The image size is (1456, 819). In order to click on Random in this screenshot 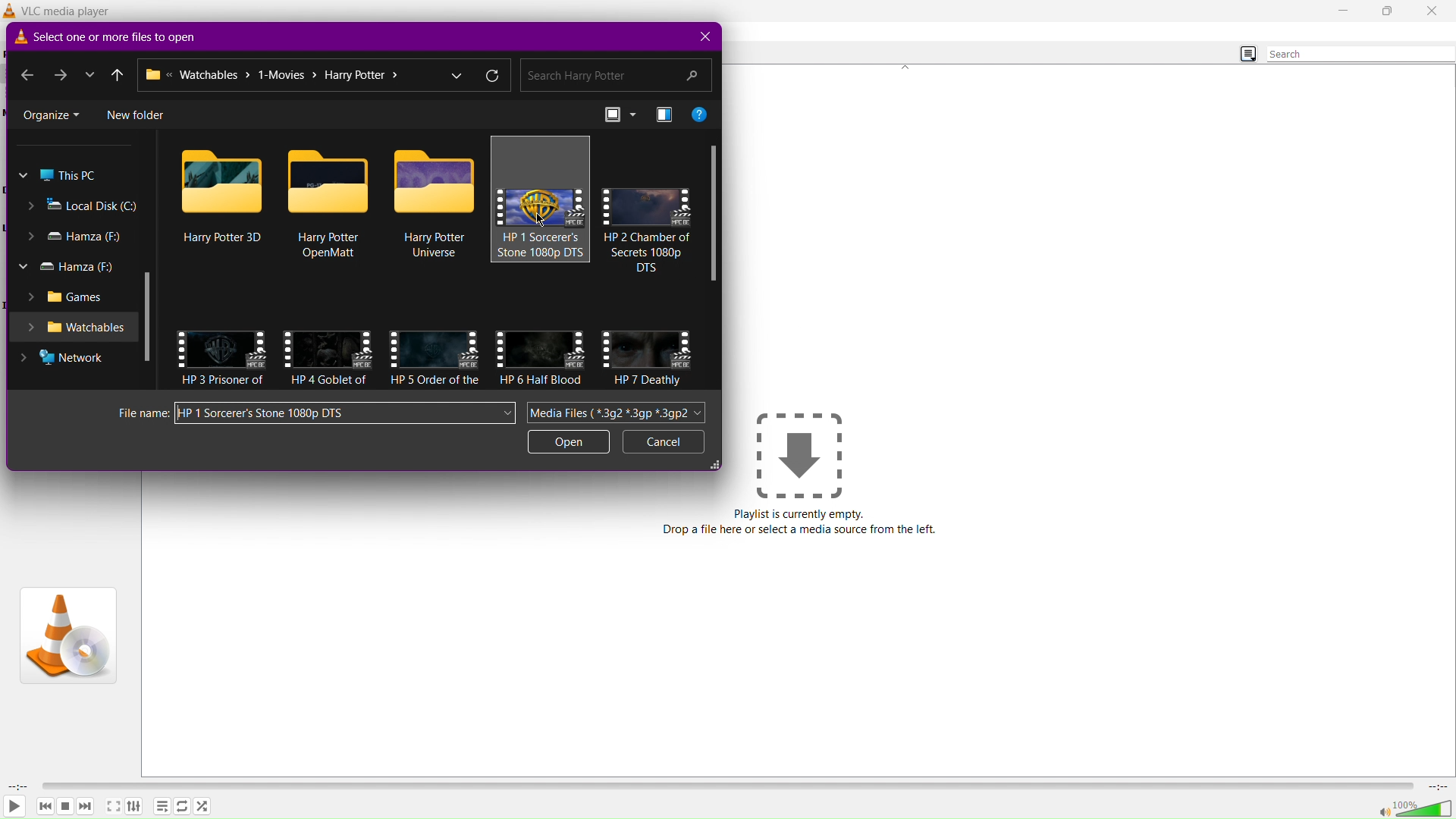, I will do `click(202, 806)`.